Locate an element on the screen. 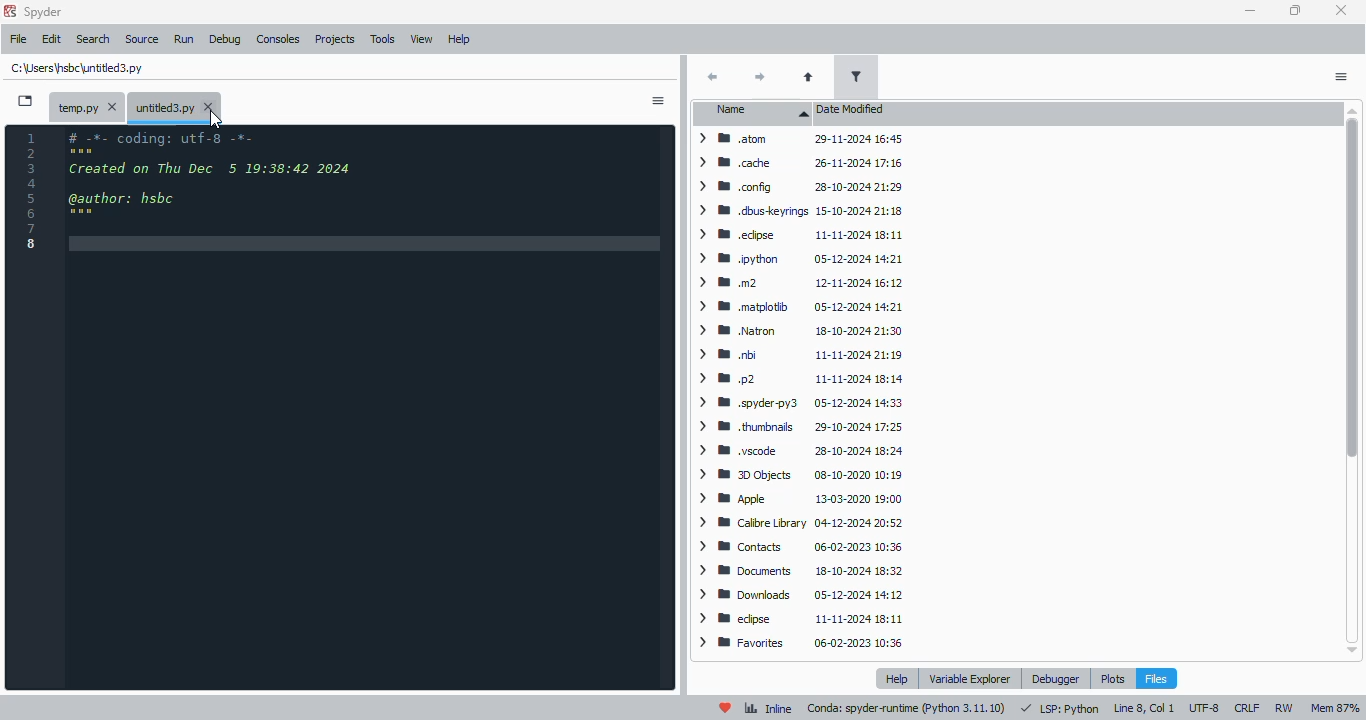 The image size is (1366, 720). consoles is located at coordinates (279, 39).